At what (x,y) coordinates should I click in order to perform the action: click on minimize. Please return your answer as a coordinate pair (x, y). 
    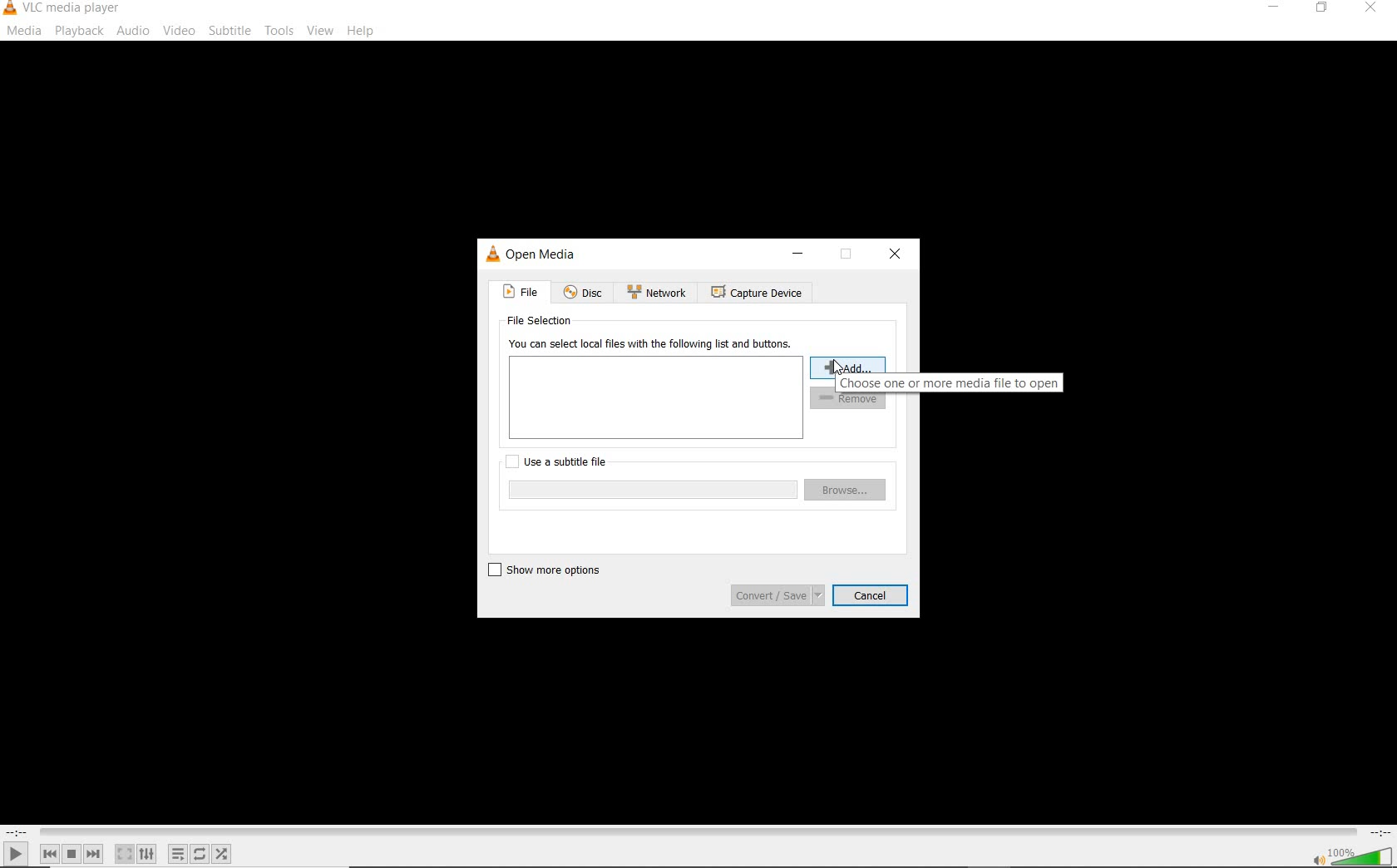
    Looking at the image, I should click on (798, 253).